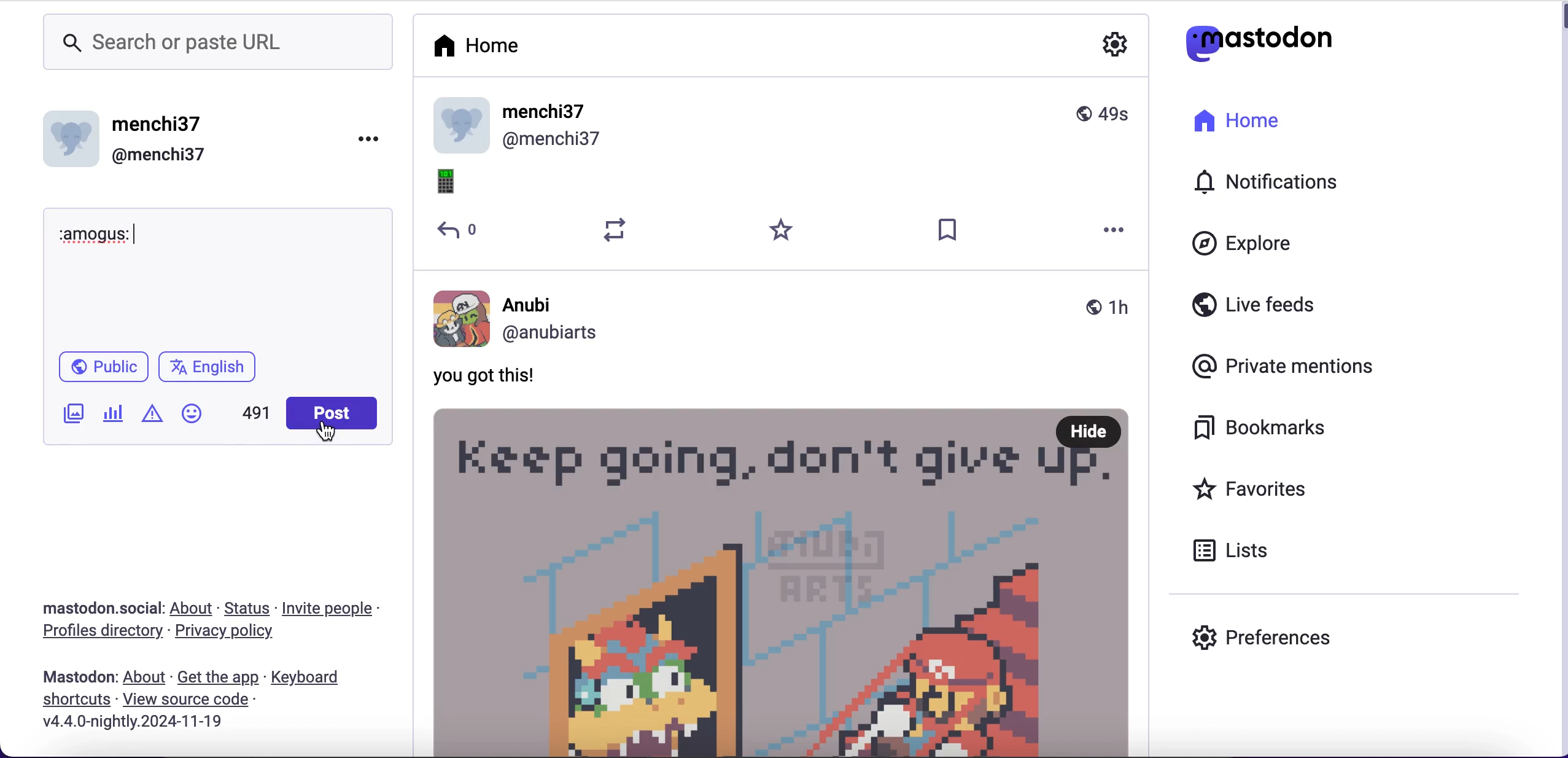  What do you see at coordinates (72, 701) in the screenshot?
I see `shortcuts` at bounding box center [72, 701].